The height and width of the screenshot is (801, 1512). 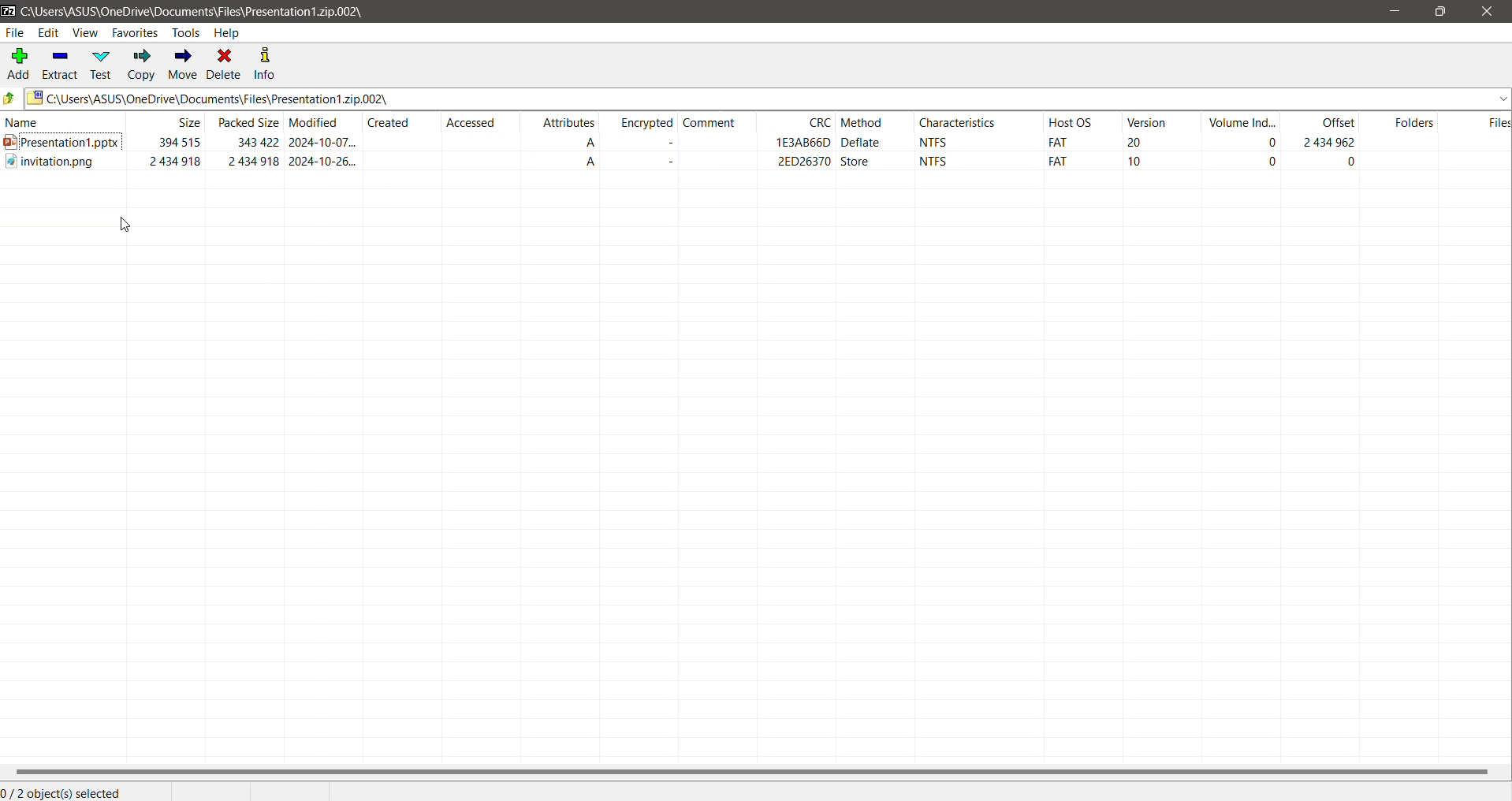 I want to click on Move Up one level, so click(x=11, y=98).